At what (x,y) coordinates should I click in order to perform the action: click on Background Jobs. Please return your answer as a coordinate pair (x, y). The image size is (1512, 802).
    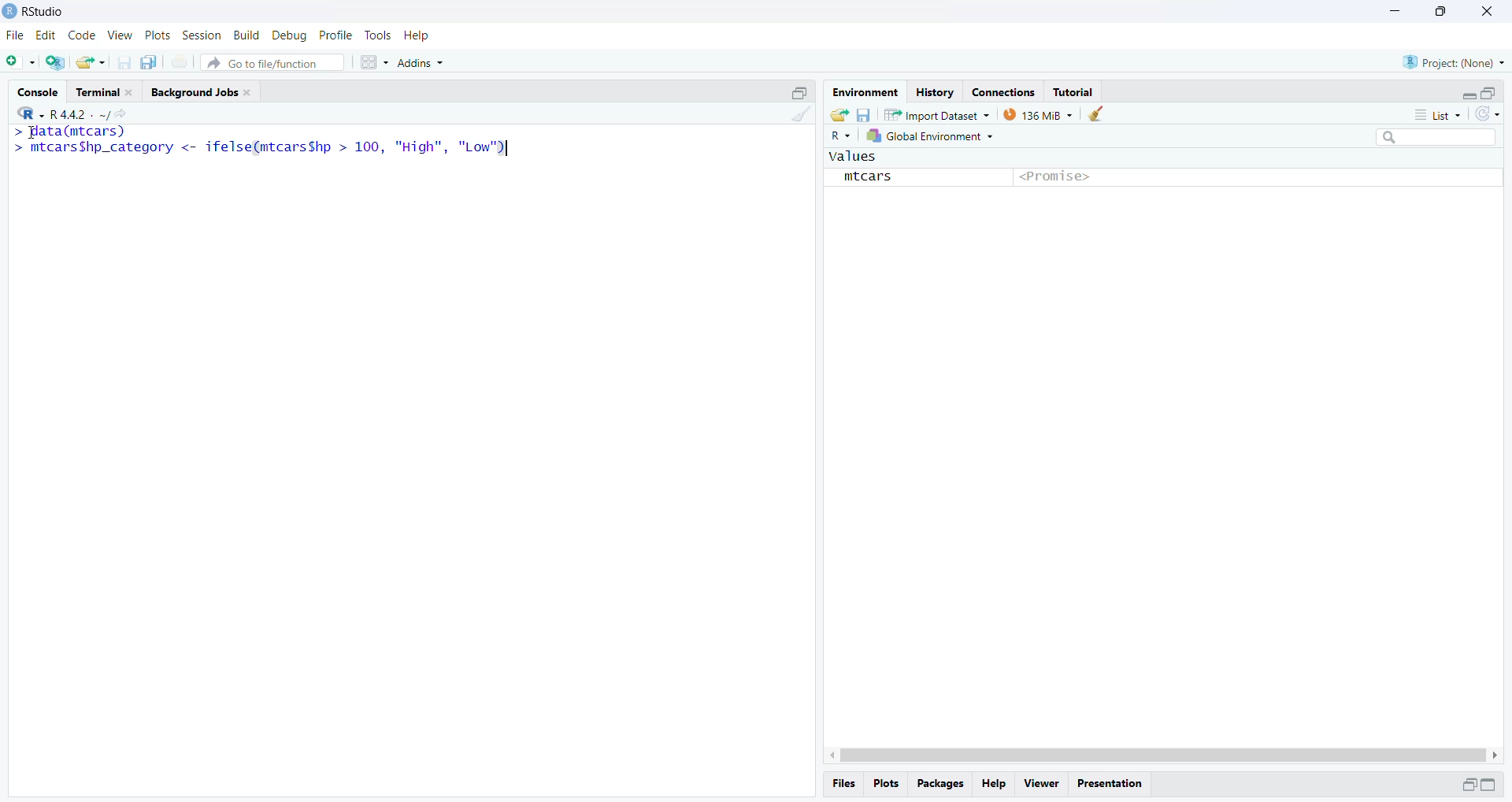
    Looking at the image, I should click on (204, 92).